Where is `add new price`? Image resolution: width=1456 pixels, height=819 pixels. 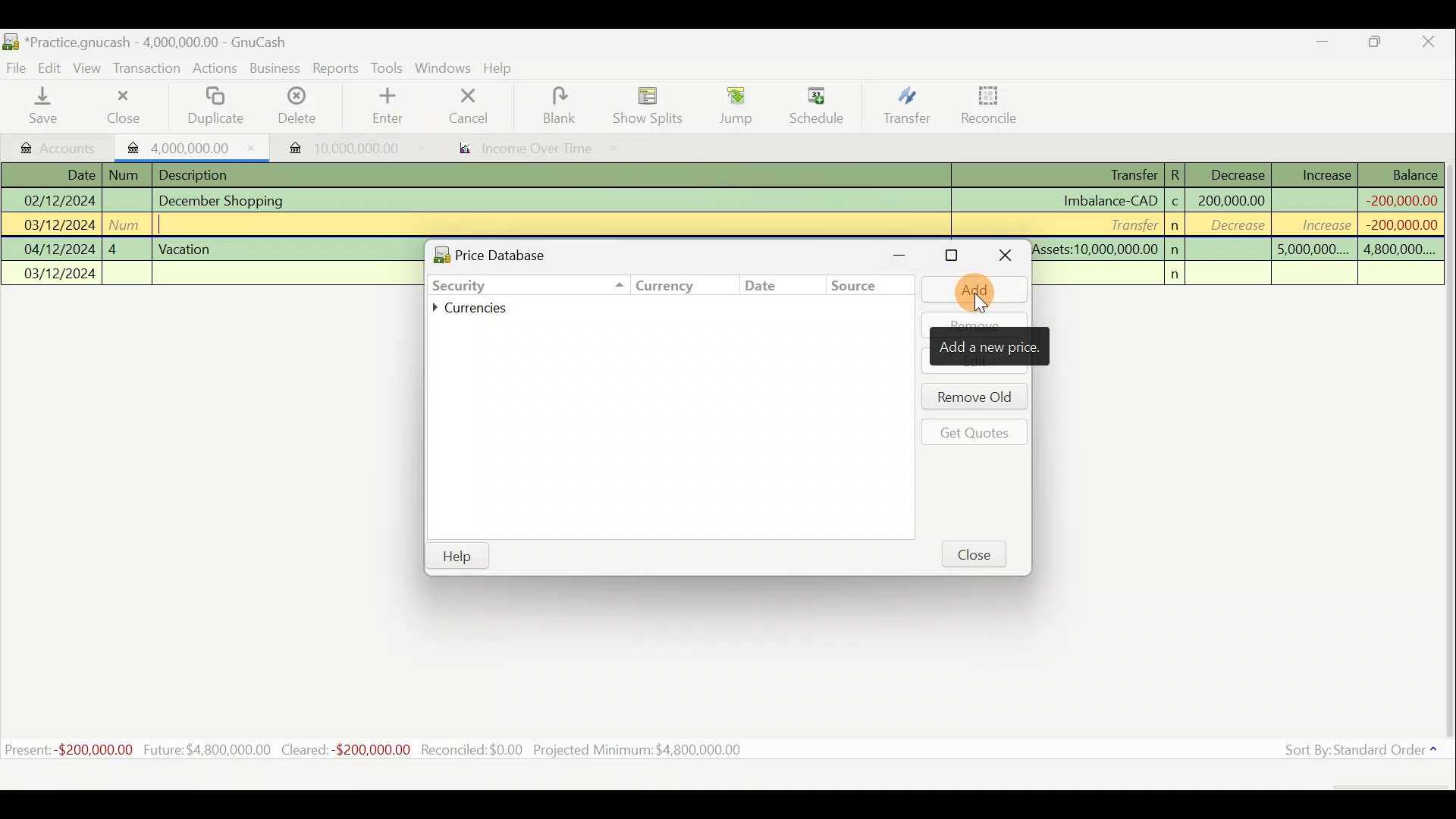
add new price is located at coordinates (989, 348).